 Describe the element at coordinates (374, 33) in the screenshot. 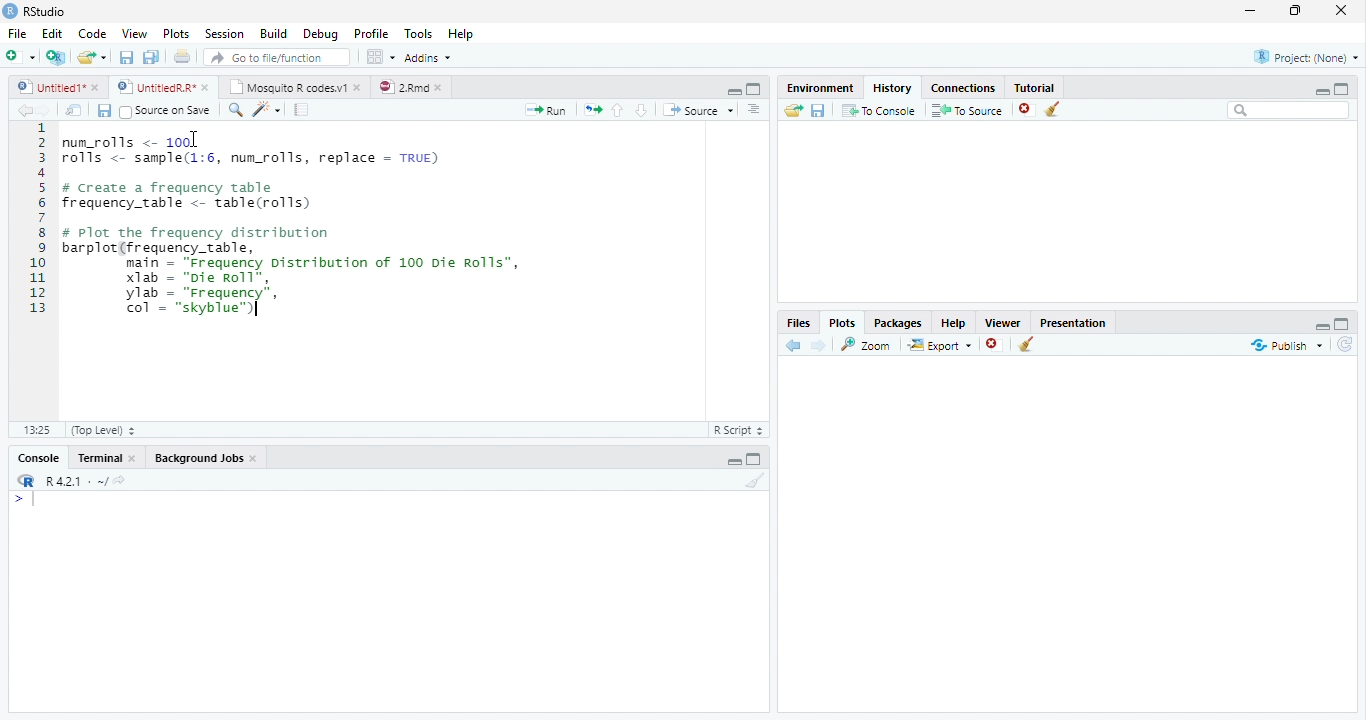

I see `Profile` at that location.